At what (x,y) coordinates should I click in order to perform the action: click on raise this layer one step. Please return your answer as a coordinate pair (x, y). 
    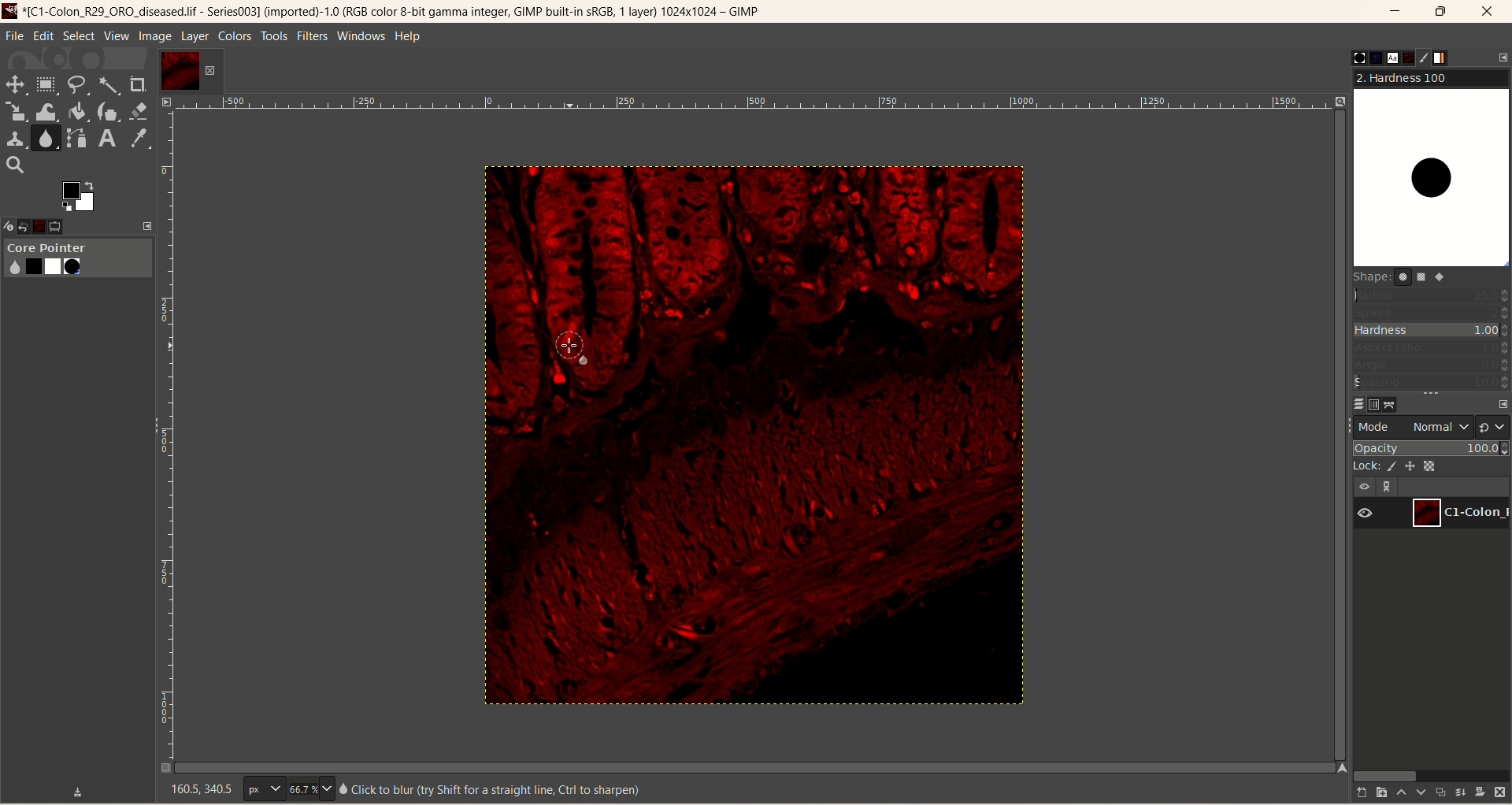
    Looking at the image, I should click on (1399, 793).